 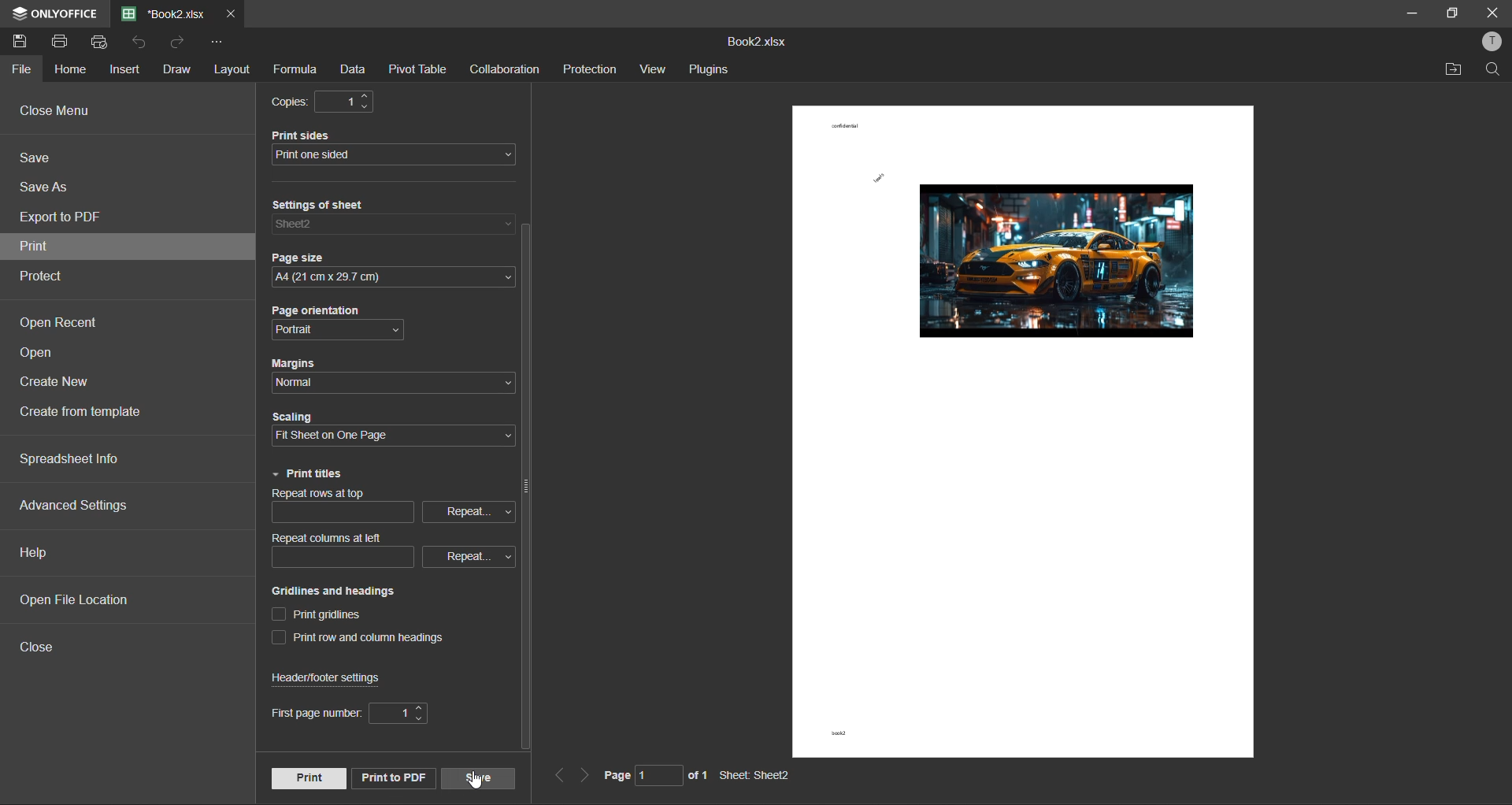 I want to click on Margins, so click(x=301, y=362).